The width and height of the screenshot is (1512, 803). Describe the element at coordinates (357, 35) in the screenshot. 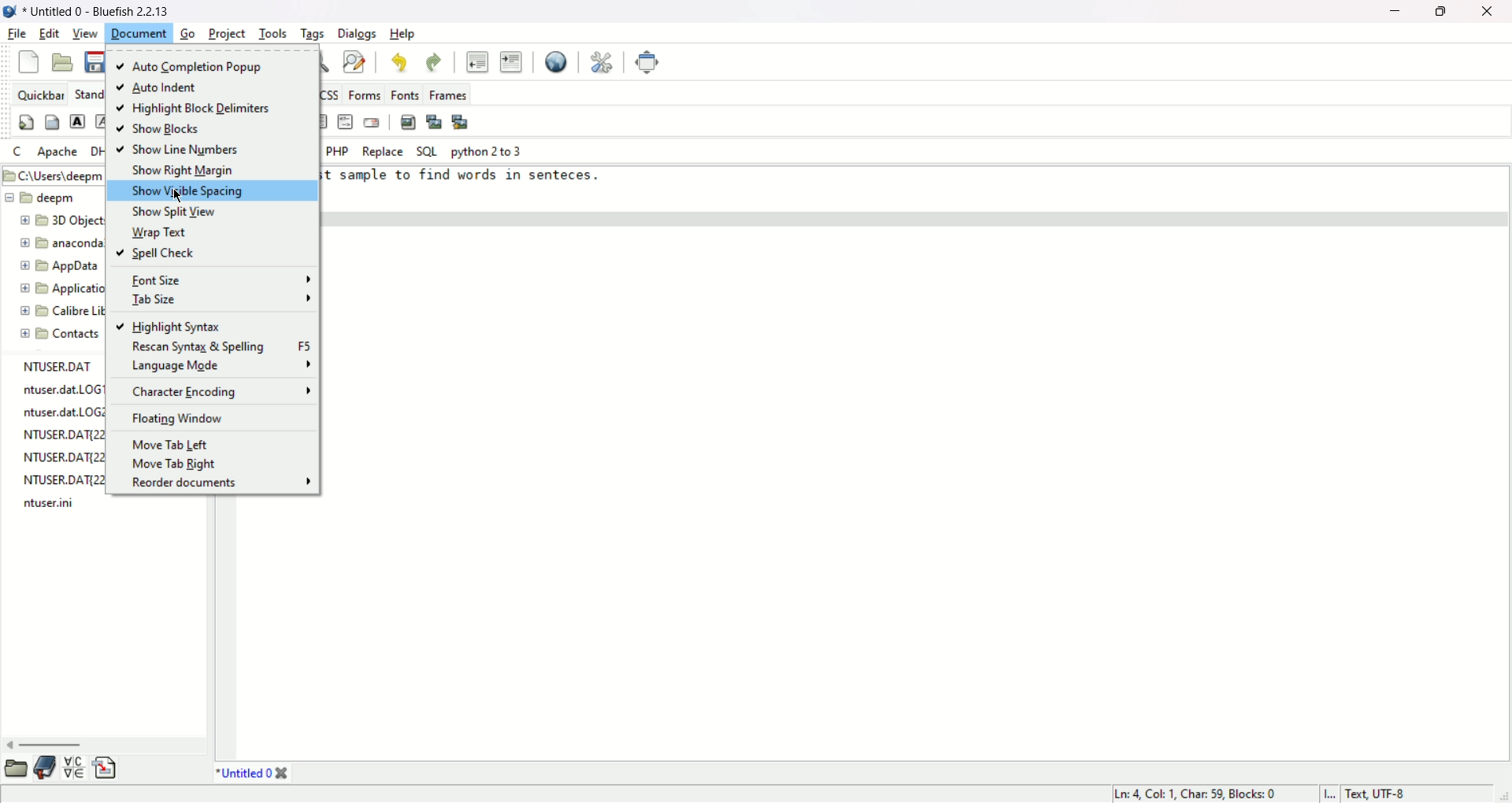

I see `dialogs` at that location.